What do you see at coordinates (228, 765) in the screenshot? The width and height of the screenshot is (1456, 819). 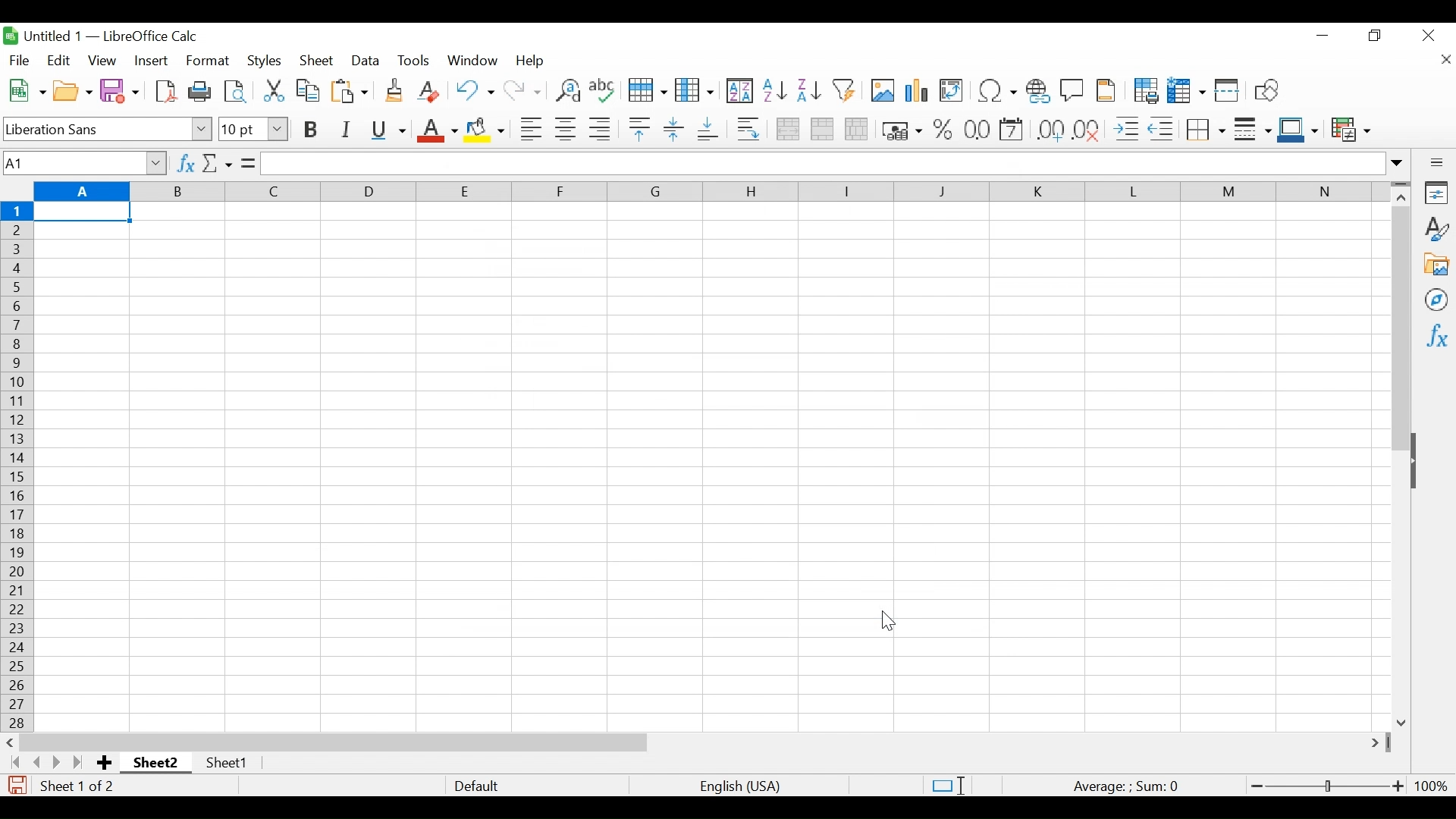 I see `Sheet 1` at bounding box center [228, 765].